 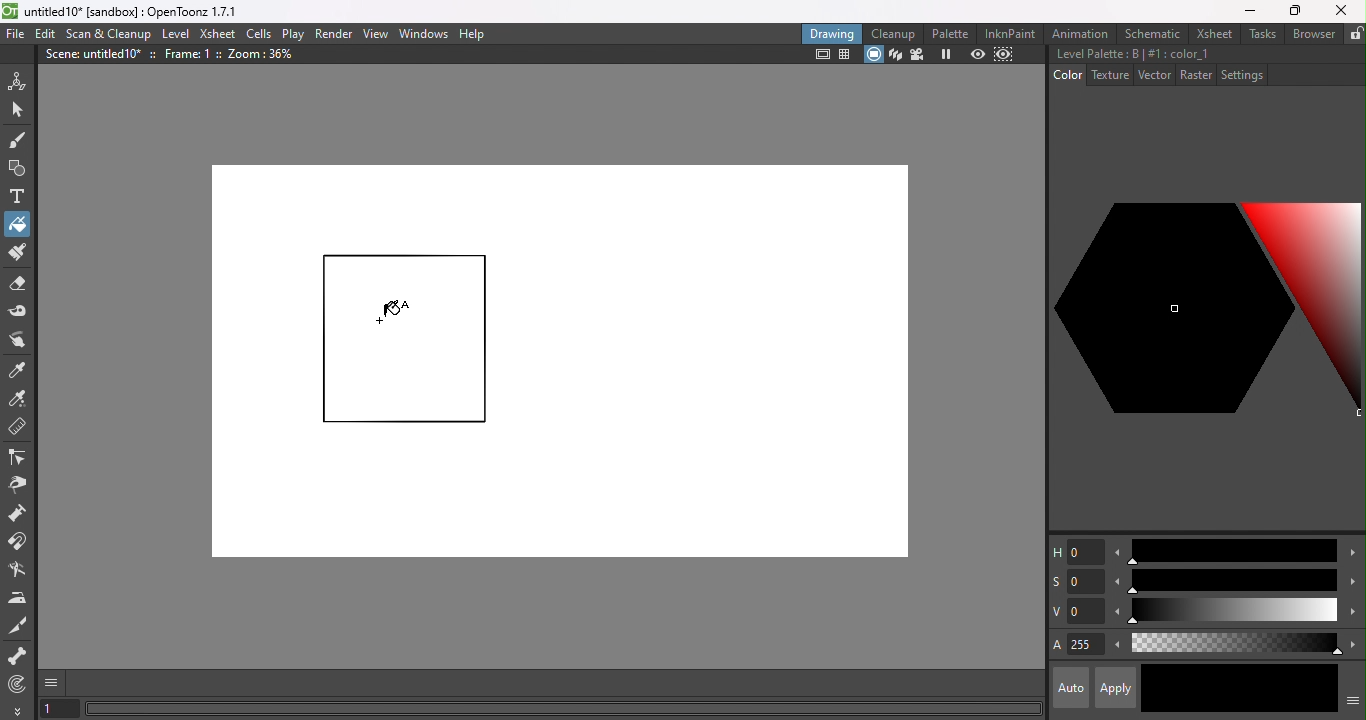 I want to click on Cutter tool, so click(x=22, y=626).